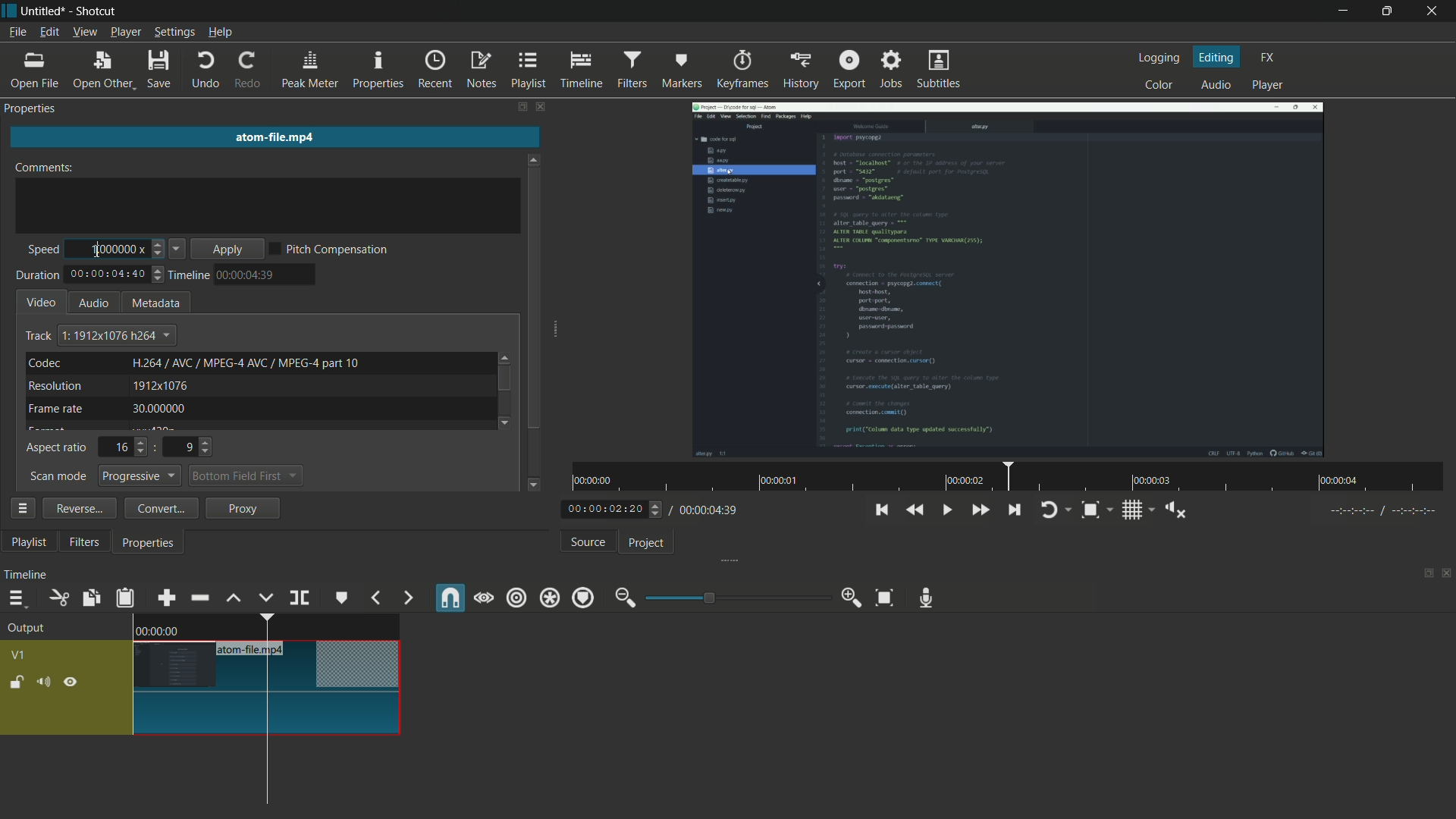 Image resolution: width=1456 pixels, height=819 pixels. I want to click on time, so click(1012, 477).